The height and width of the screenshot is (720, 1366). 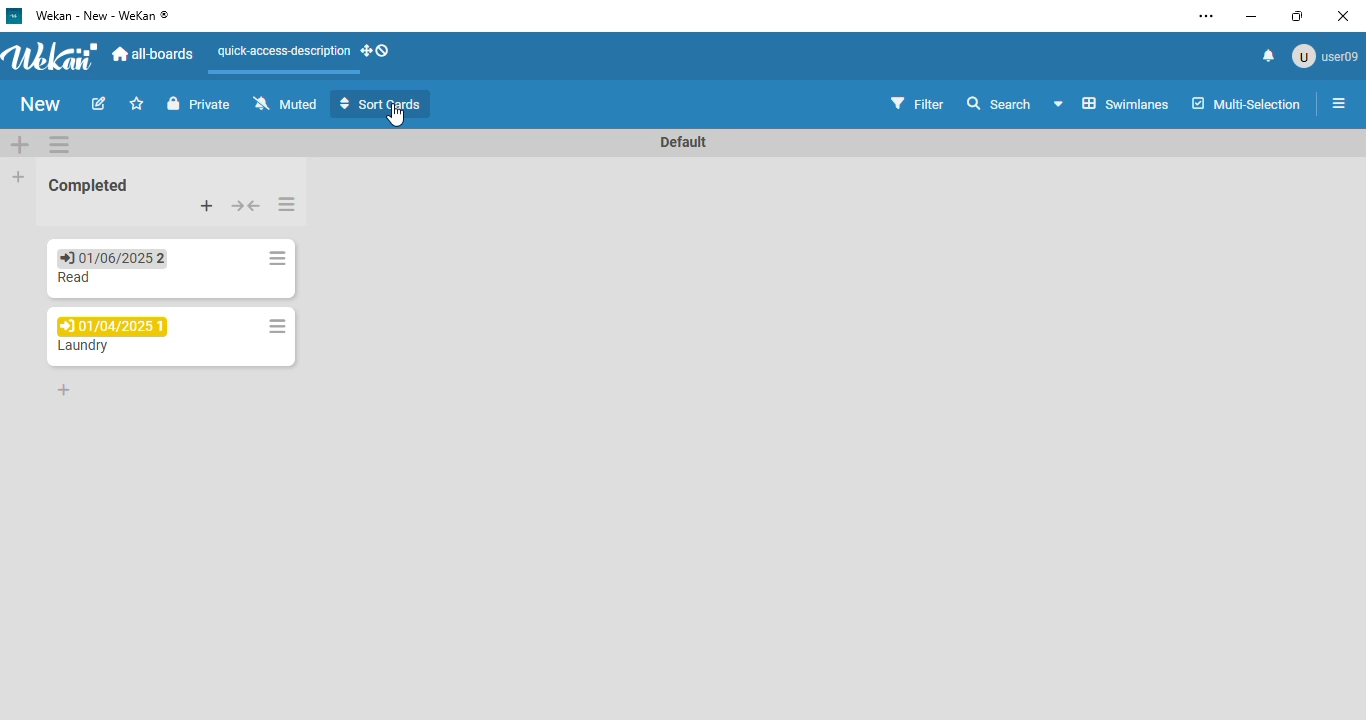 I want to click on 01/04/2025 , so click(x=113, y=326).